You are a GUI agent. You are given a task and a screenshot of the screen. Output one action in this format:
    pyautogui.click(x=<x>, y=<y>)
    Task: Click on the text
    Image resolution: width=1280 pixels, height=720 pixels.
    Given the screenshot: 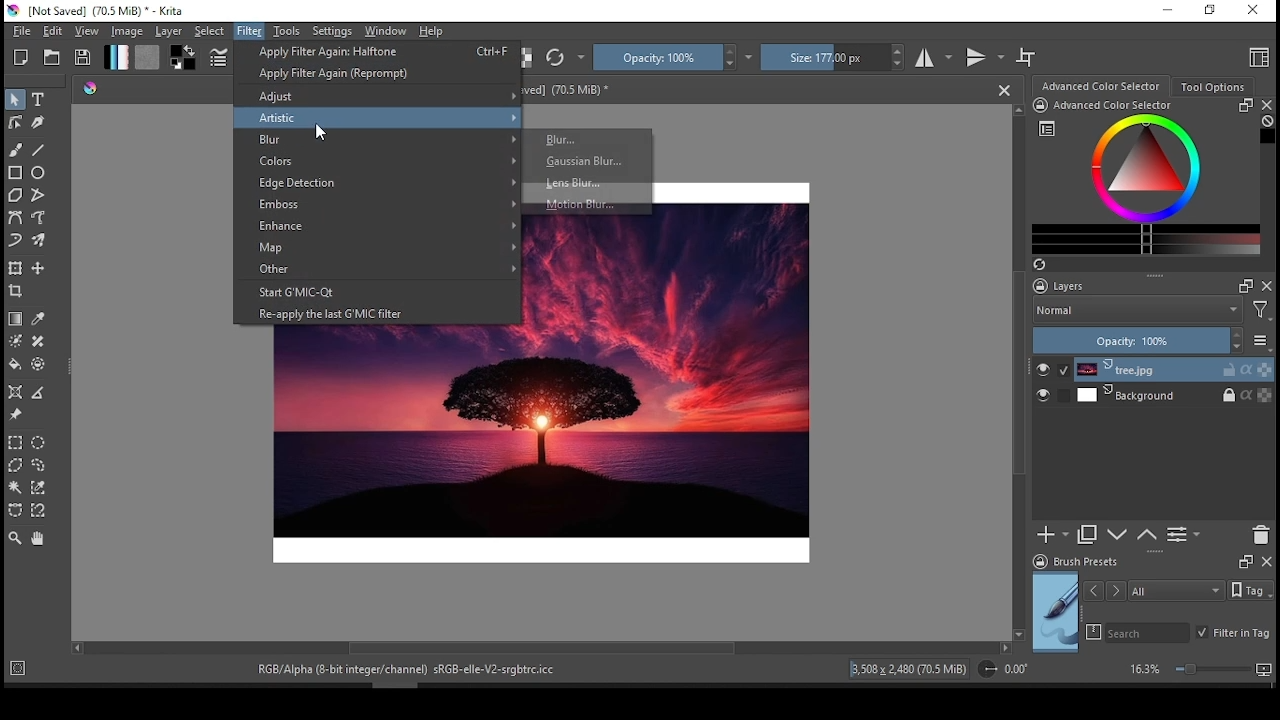 What is the action you would take?
    pyautogui.click(x=414, y=669)
    